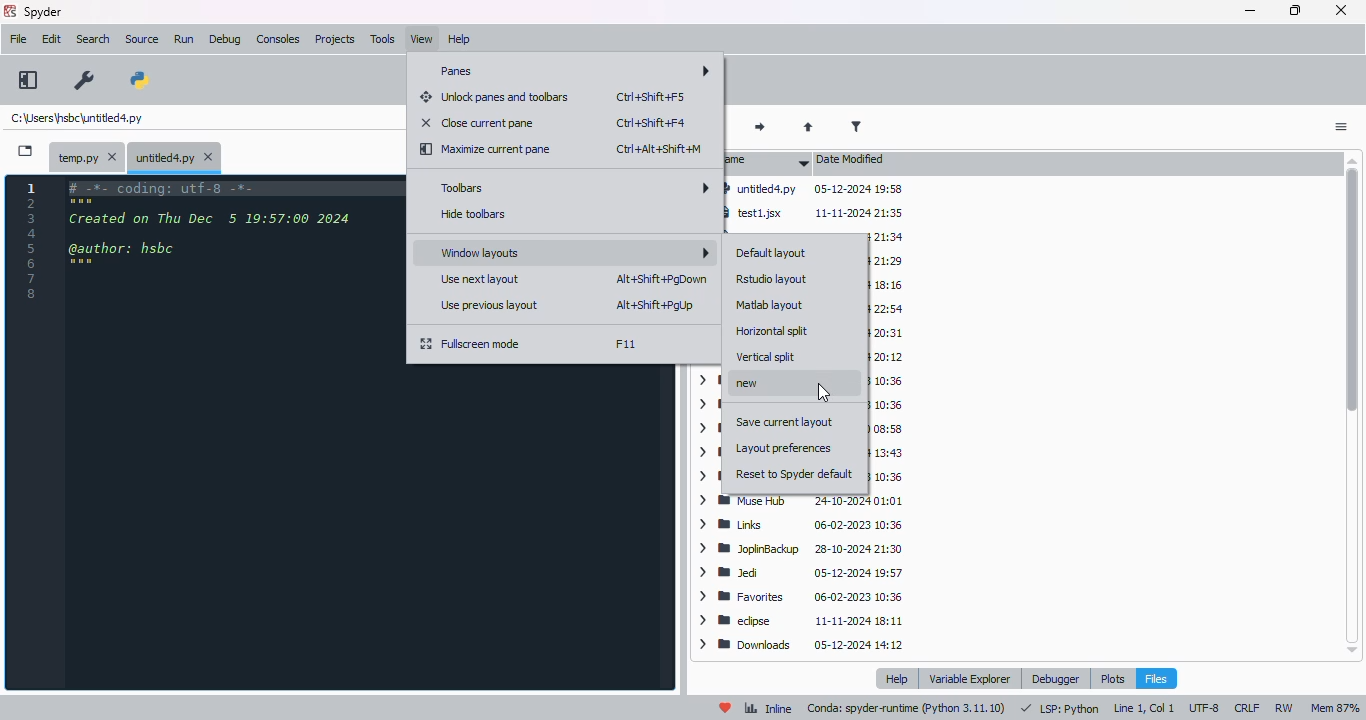 This screenshot has width=1366, height=720. Describe the element at coordinates (655, 305) in the screenshot. I see `shortcut for use previous layout` at that location.